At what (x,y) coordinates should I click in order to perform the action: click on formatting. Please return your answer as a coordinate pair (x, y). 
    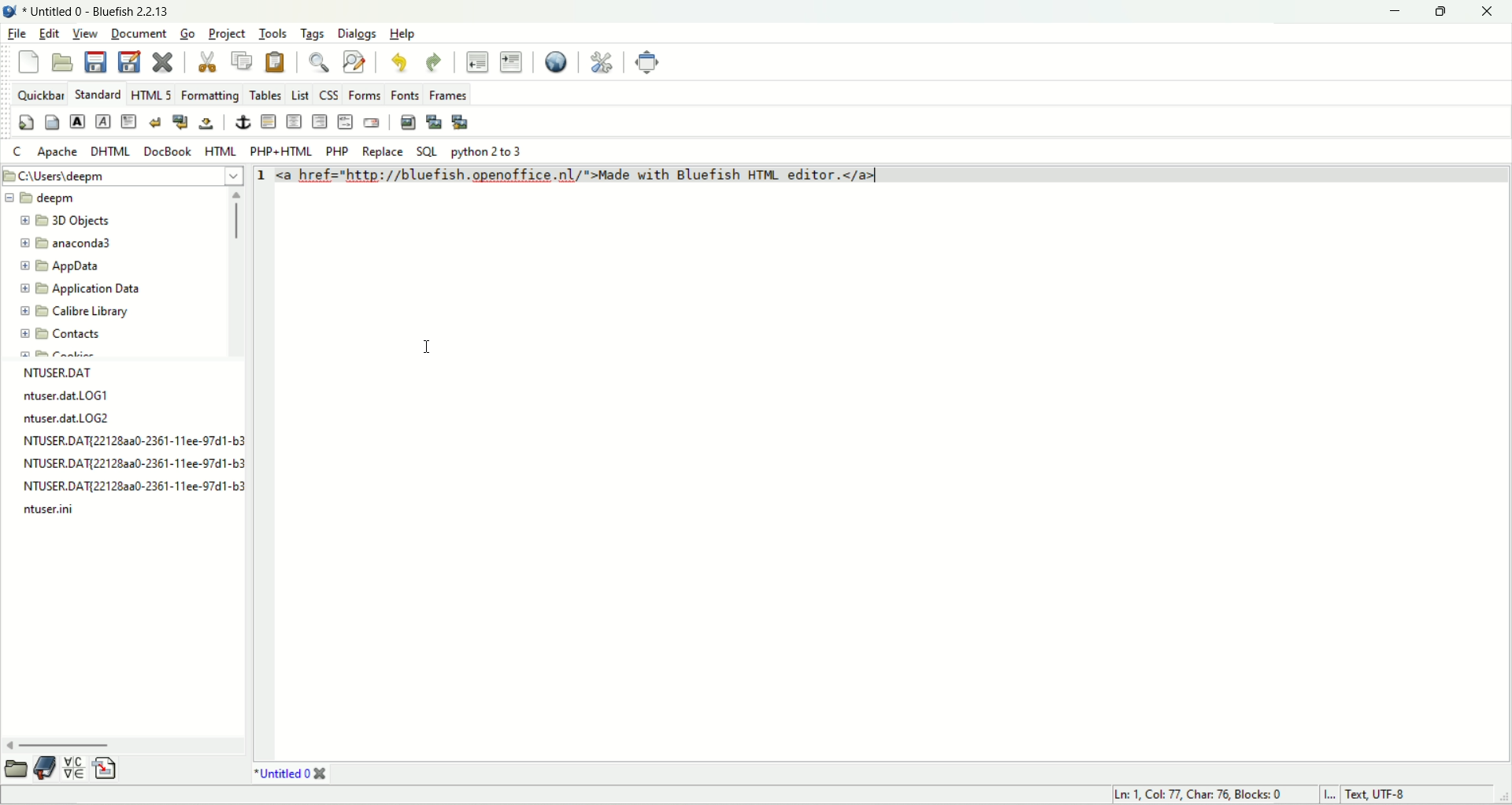
    Looking at the image, I should click on (209, 94).